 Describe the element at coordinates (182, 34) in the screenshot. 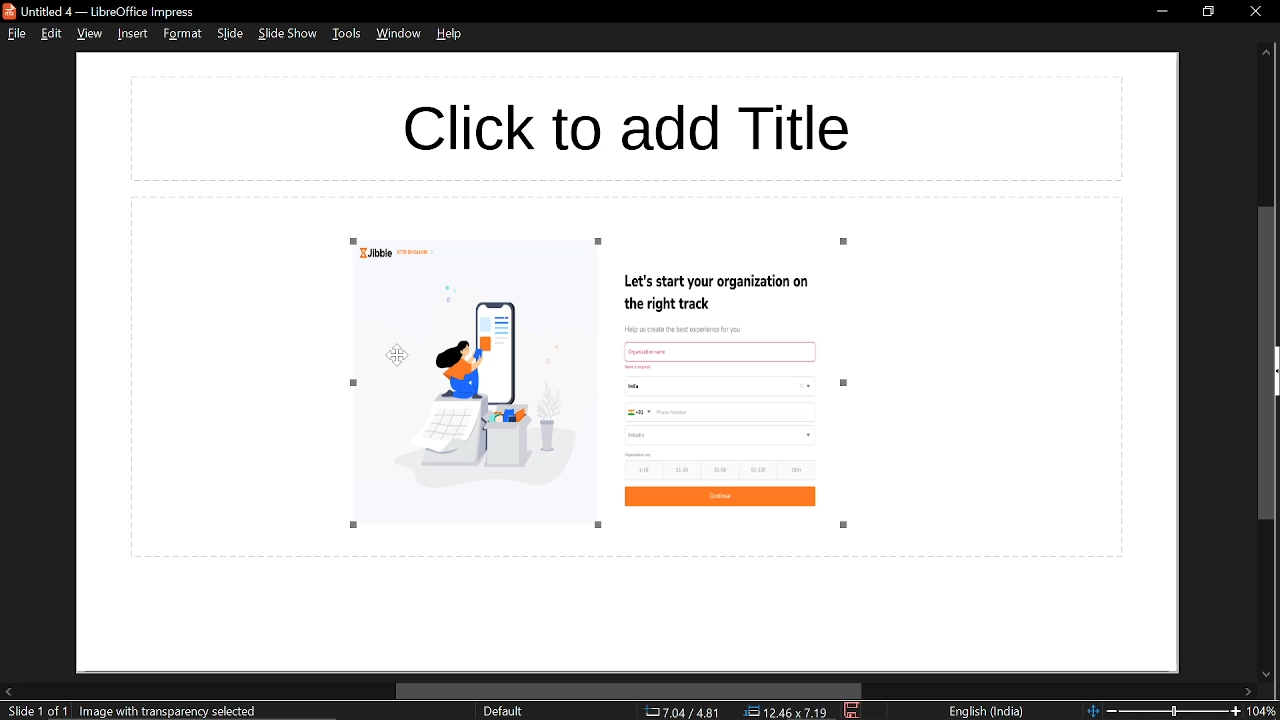

I see `format` at that location.